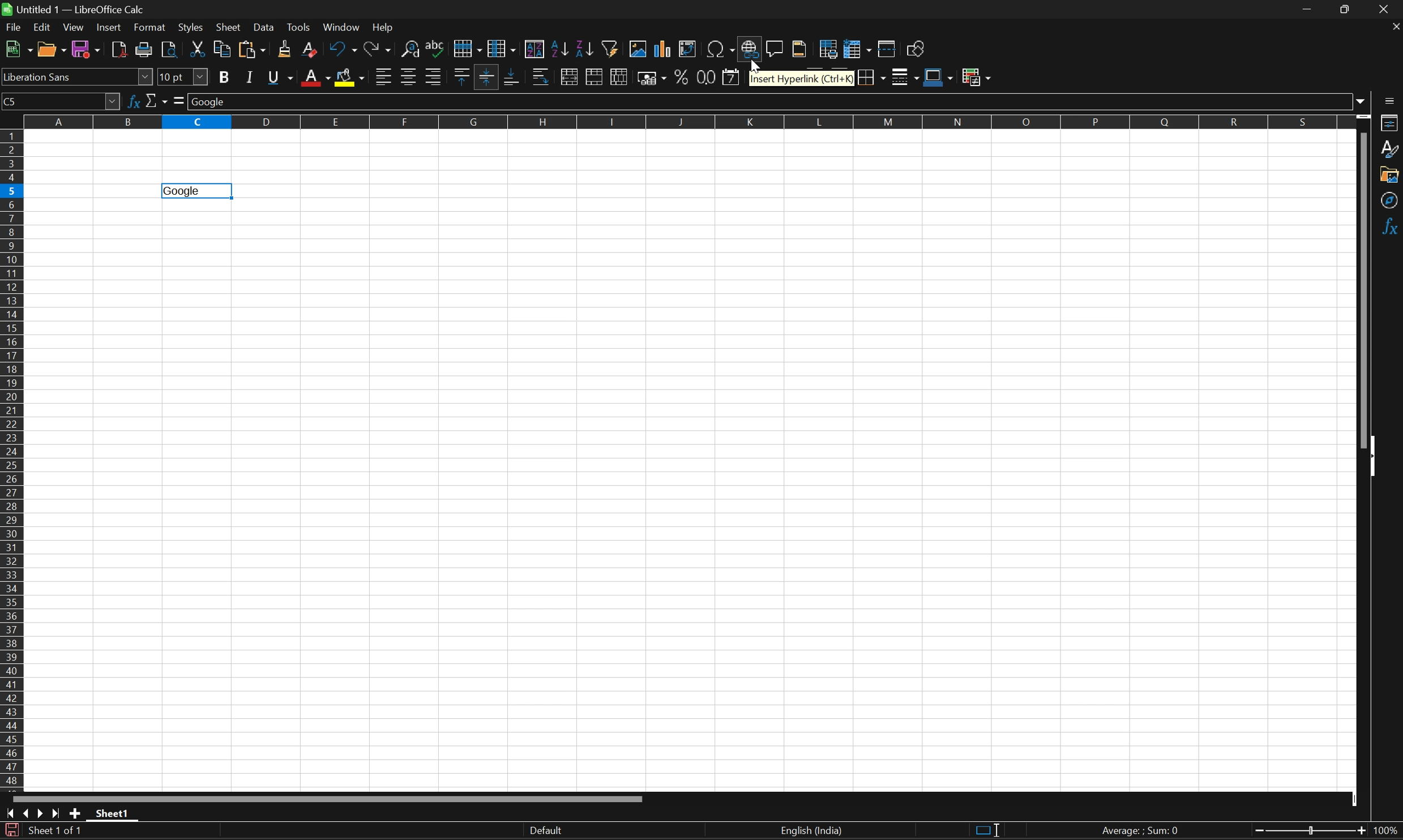 The height and width of the screenshot is (840, 1403). I want to click on Background color, so click(351, 77).